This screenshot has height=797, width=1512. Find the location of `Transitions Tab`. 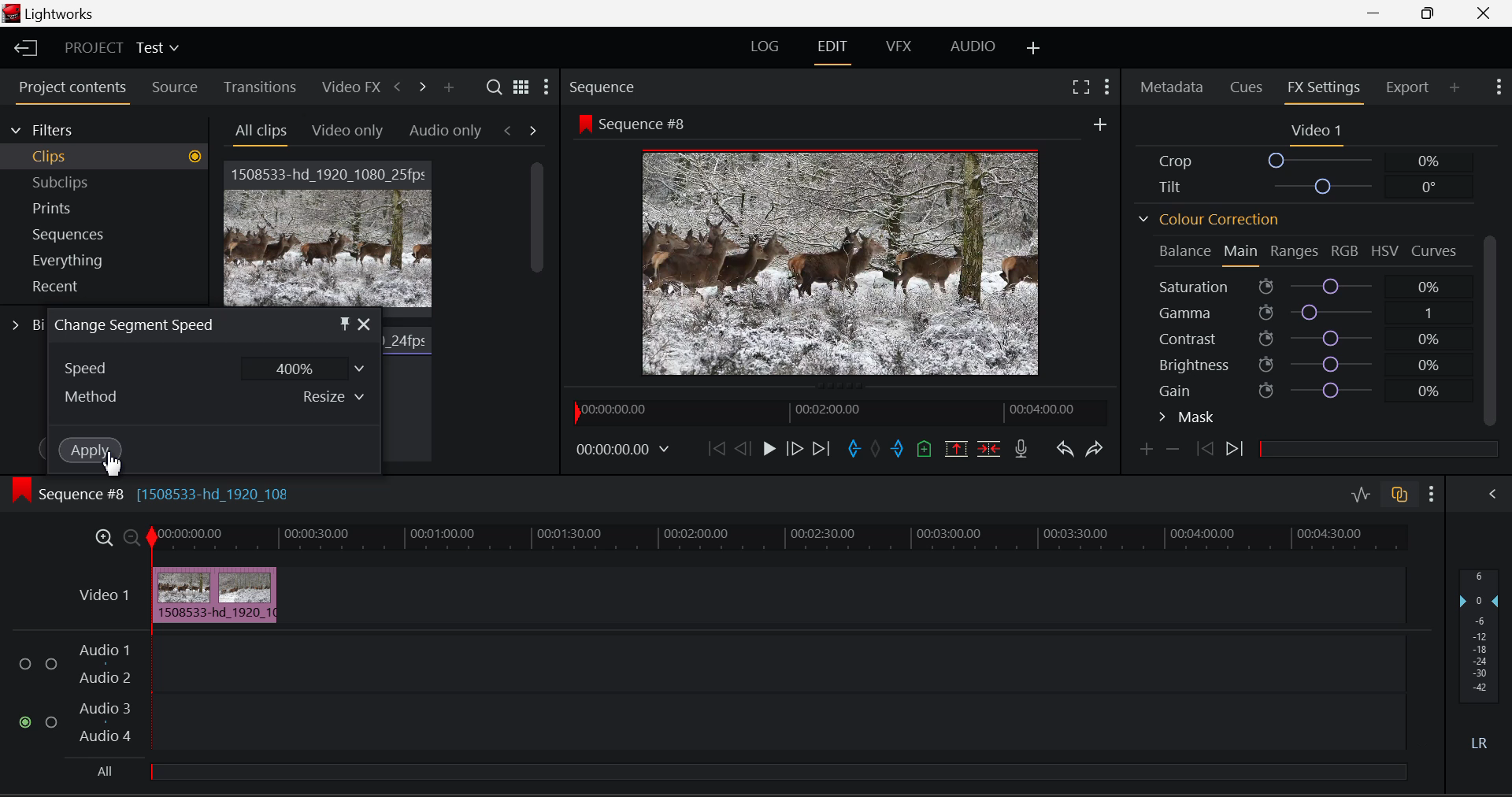

Transitions Tab is located at coordinates (262, 87).